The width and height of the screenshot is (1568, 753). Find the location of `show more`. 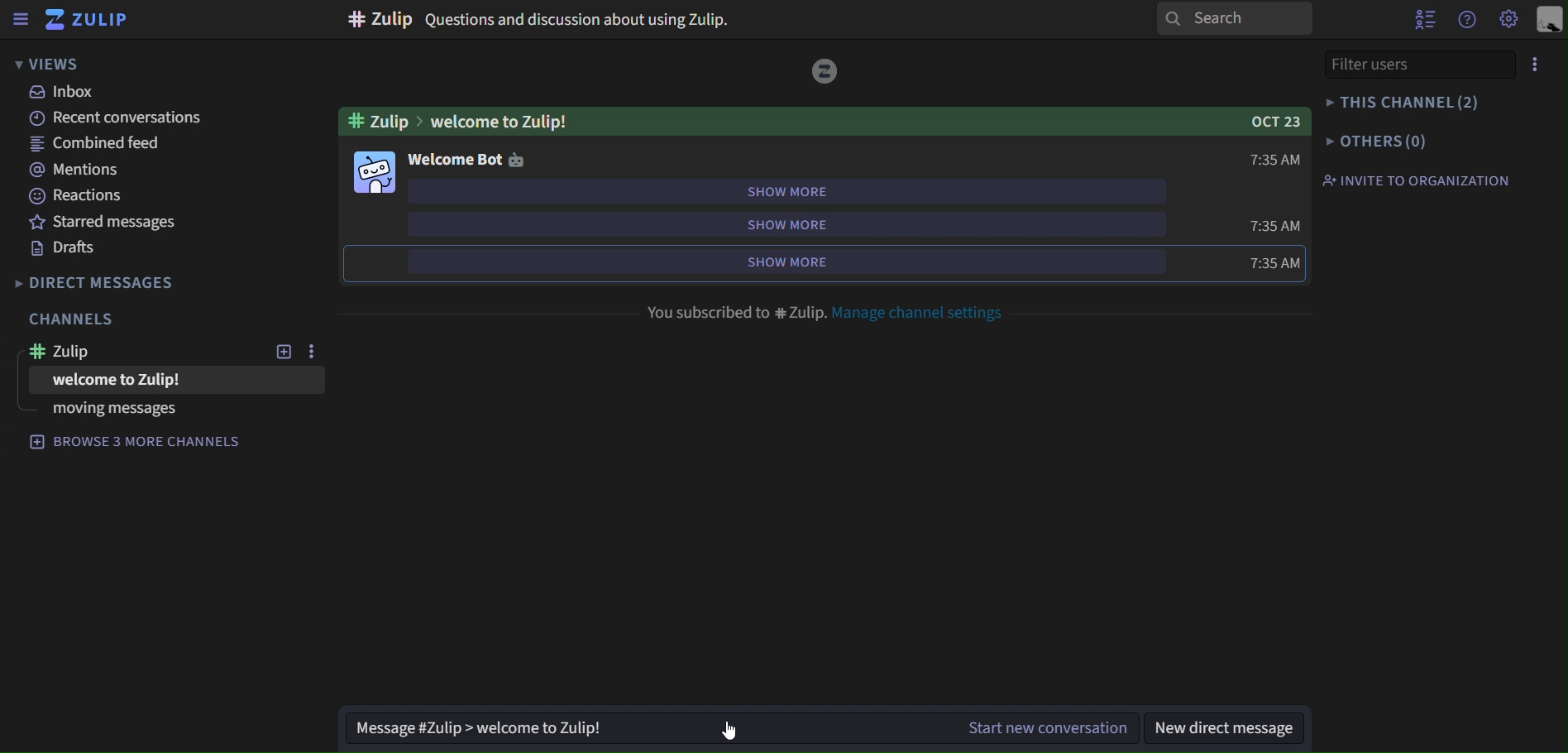

show more is located at coordinates (806, 191).